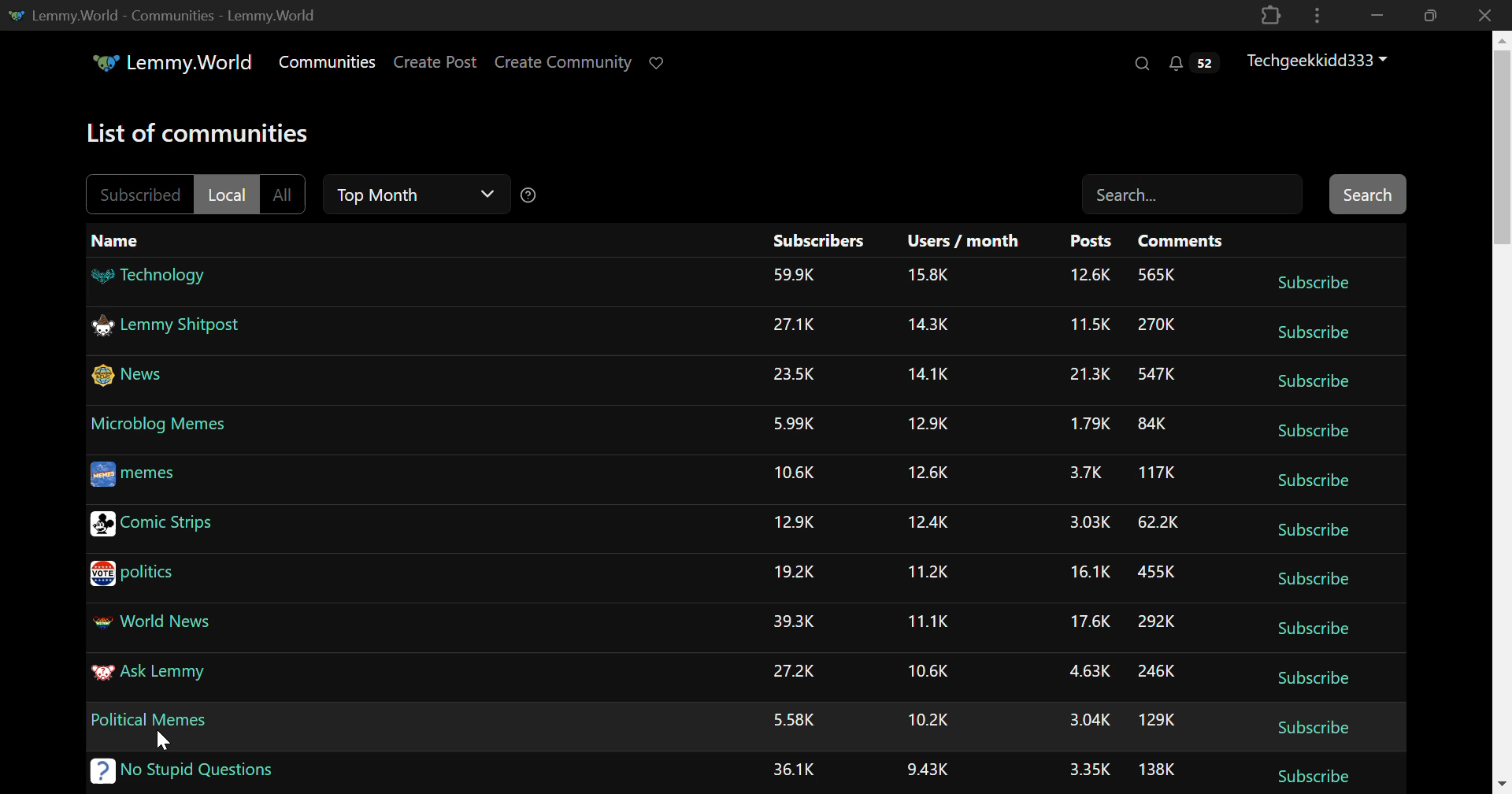 Image resolution: width=1512 pixels, height=794 pixels. I want to click on Search Field, so click(1191, 194).